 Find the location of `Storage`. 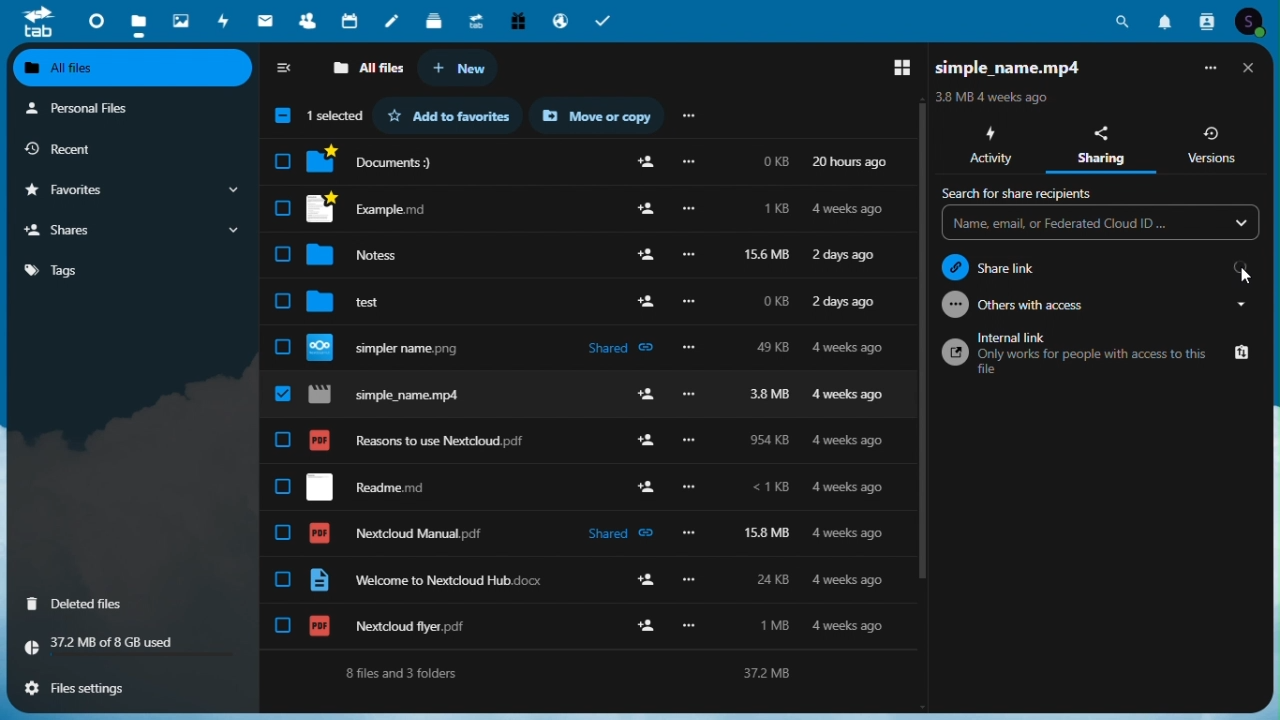

Storage is located at coordinates (135, 646).